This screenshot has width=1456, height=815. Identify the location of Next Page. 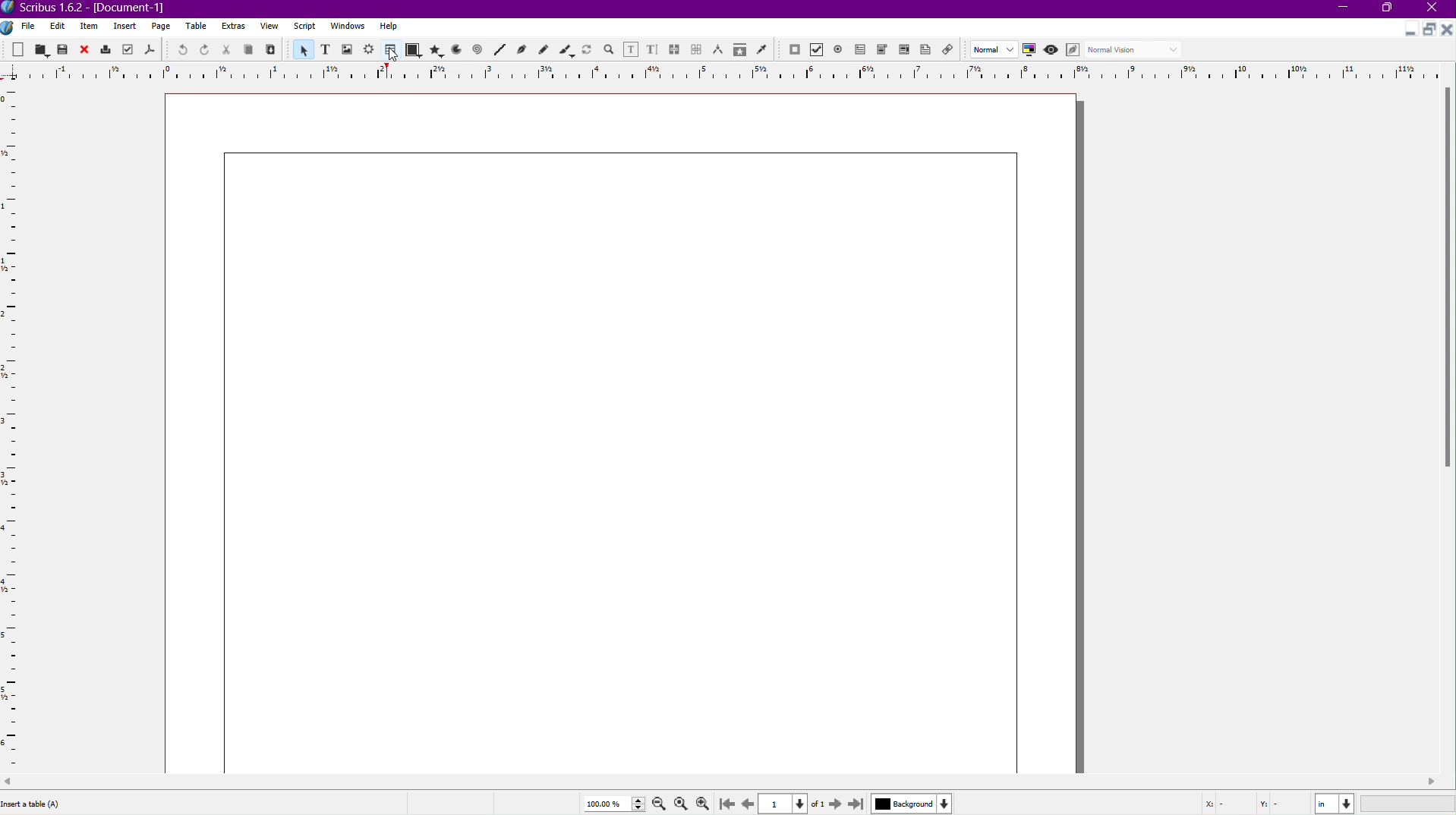
(833, 803).